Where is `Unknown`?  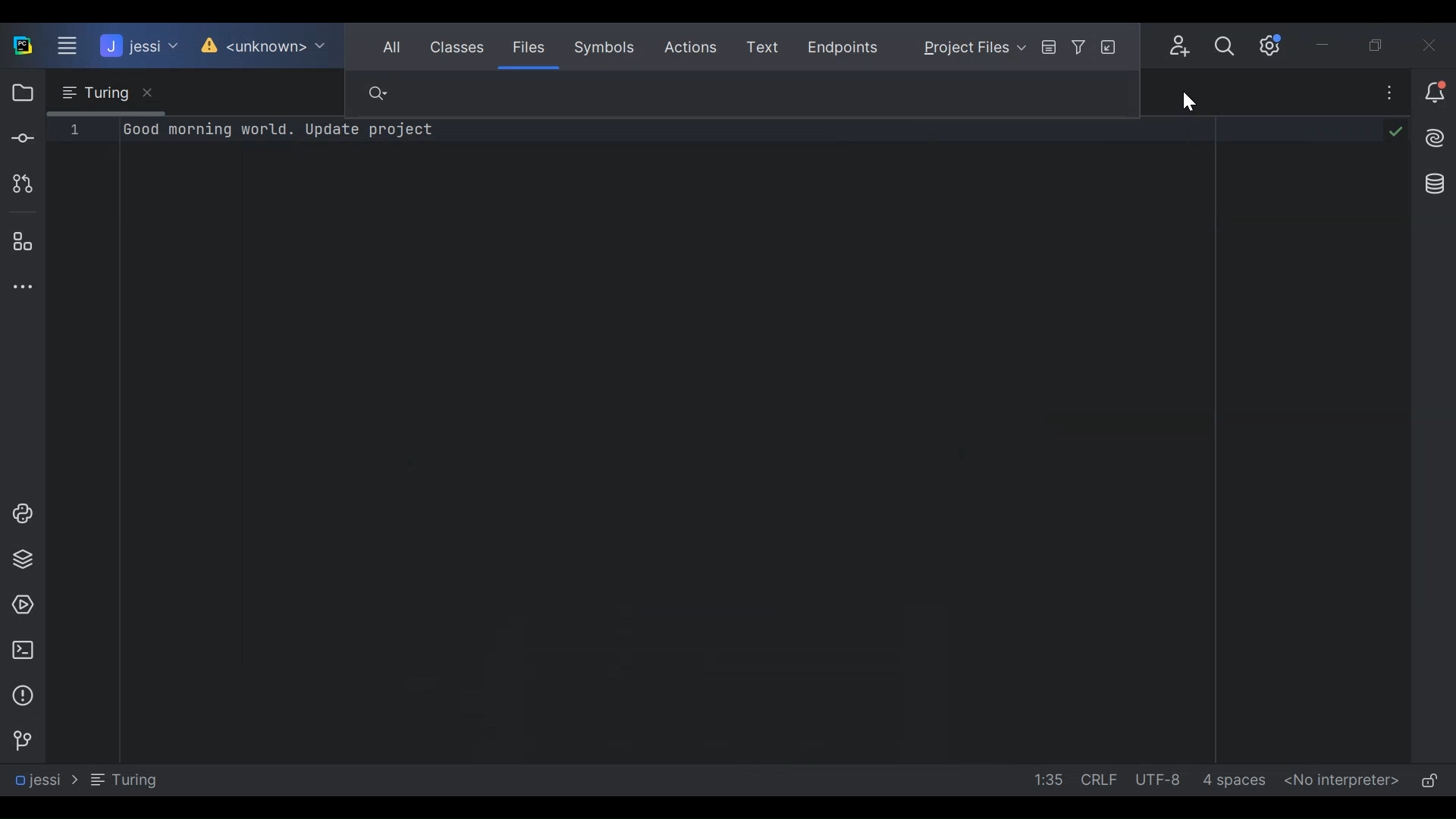 Unknown is located at coordinates (262, 47).